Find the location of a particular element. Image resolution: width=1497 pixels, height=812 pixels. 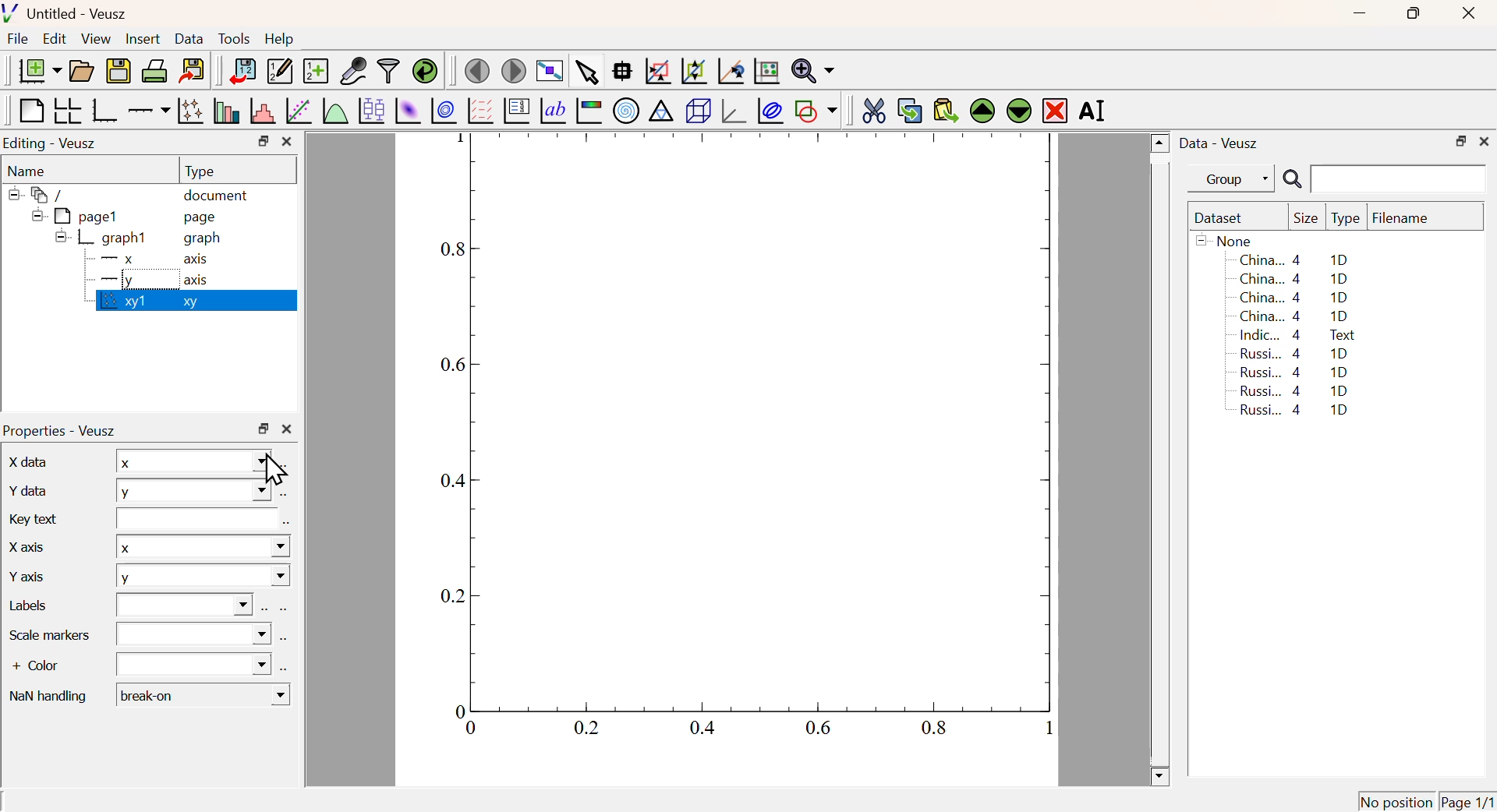

graph1 is located at coordinates (103, 237).